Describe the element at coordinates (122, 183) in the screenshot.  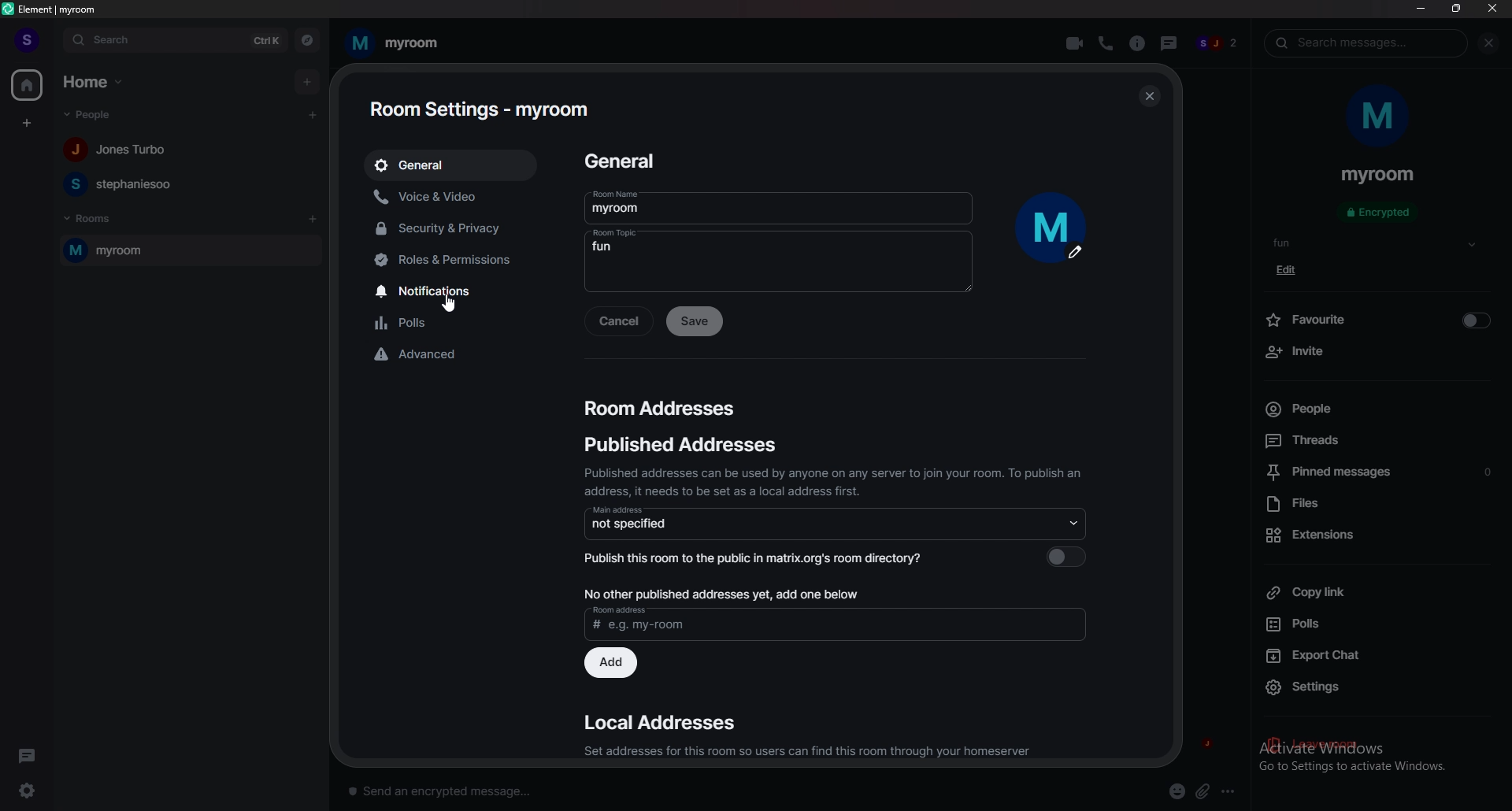
I see `people` at that location.